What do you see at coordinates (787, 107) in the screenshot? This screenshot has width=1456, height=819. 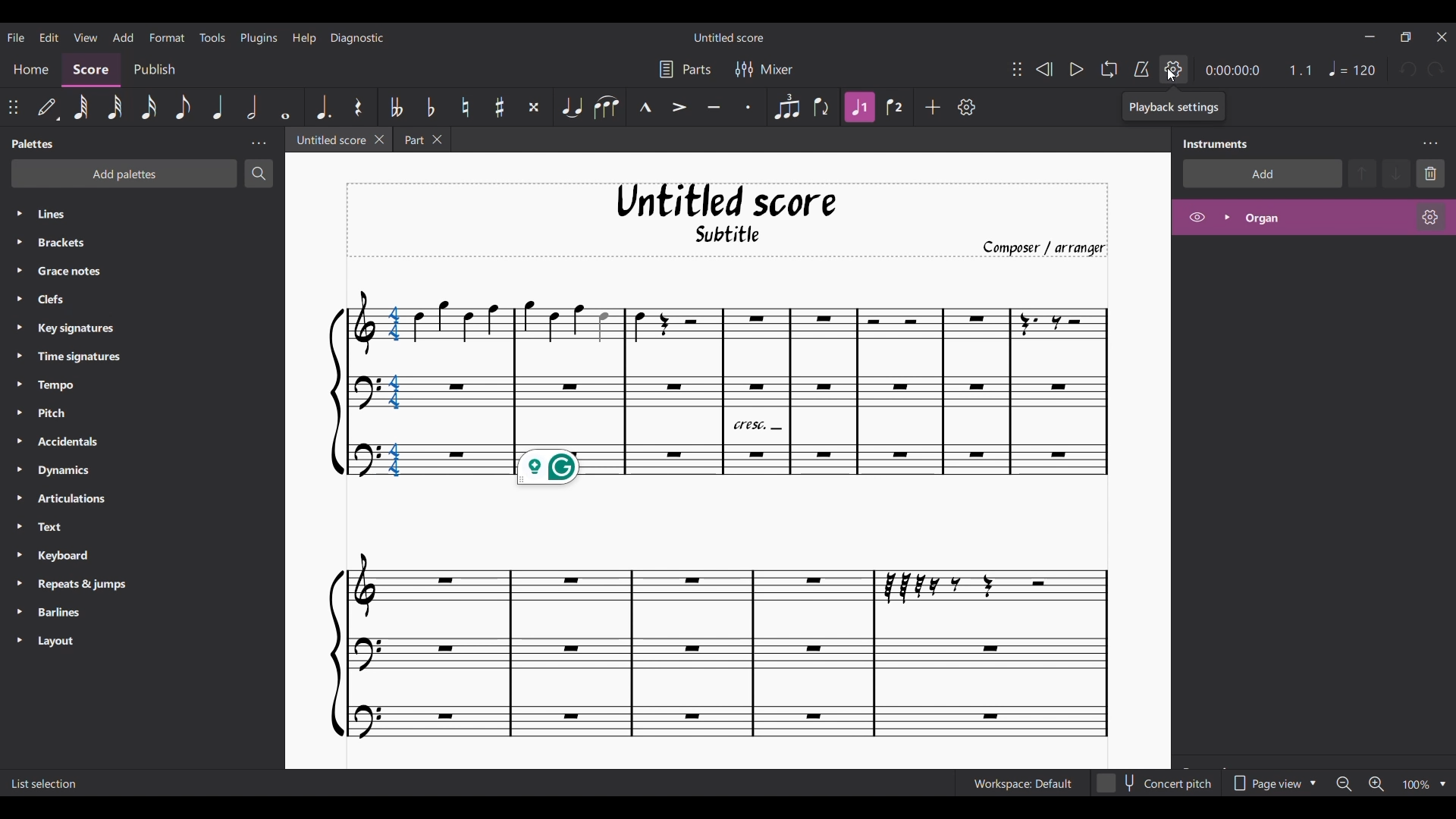 I see `Tuplet` at bounding box center [787, 107].